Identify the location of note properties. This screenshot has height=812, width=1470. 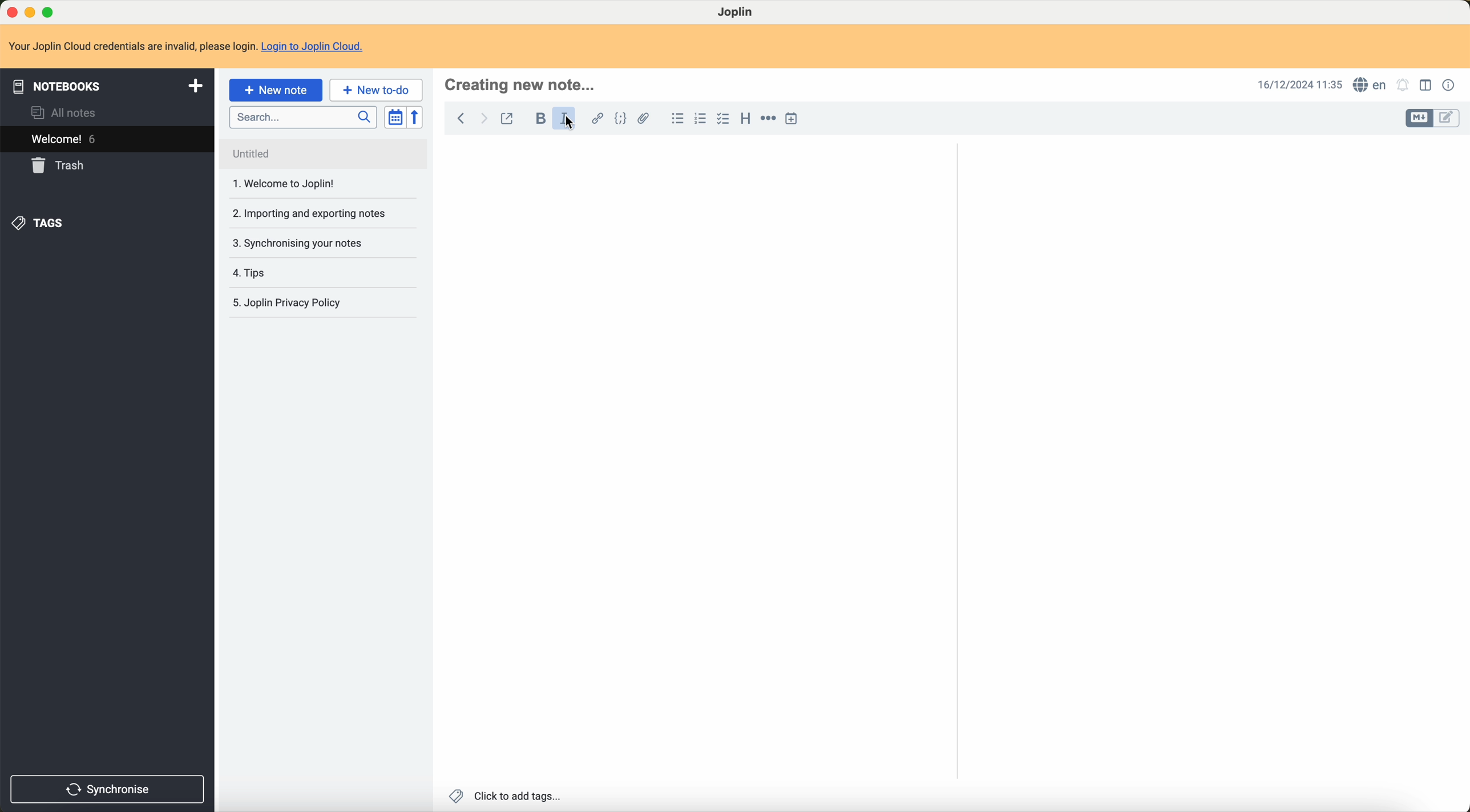
(1449, 85).